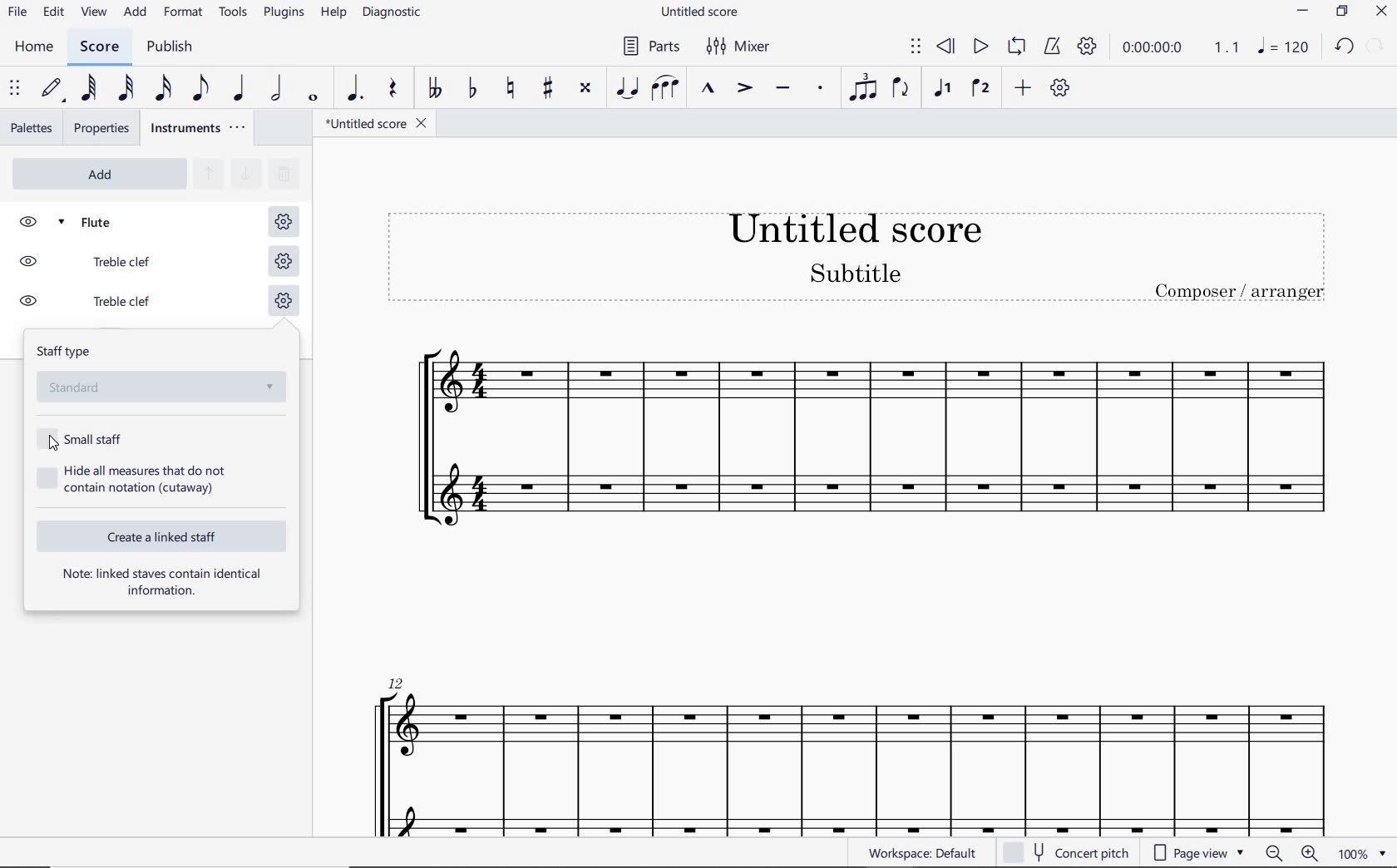 This screenshot has height=868, width=1397. I want to click on HIDE ALL MEASURES THAT DO NOT CONTAIN NOTATION (CUTAWAY), so click(136, 479).